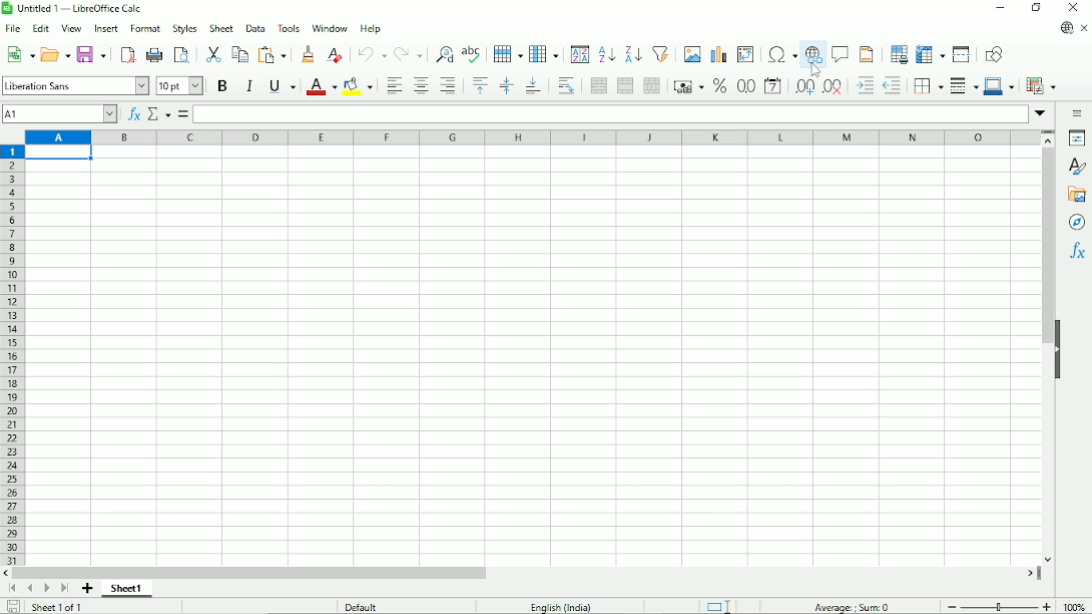  Describe the element at coordinates (60, 153) in the screenshot. I see `Active cell` at that location.